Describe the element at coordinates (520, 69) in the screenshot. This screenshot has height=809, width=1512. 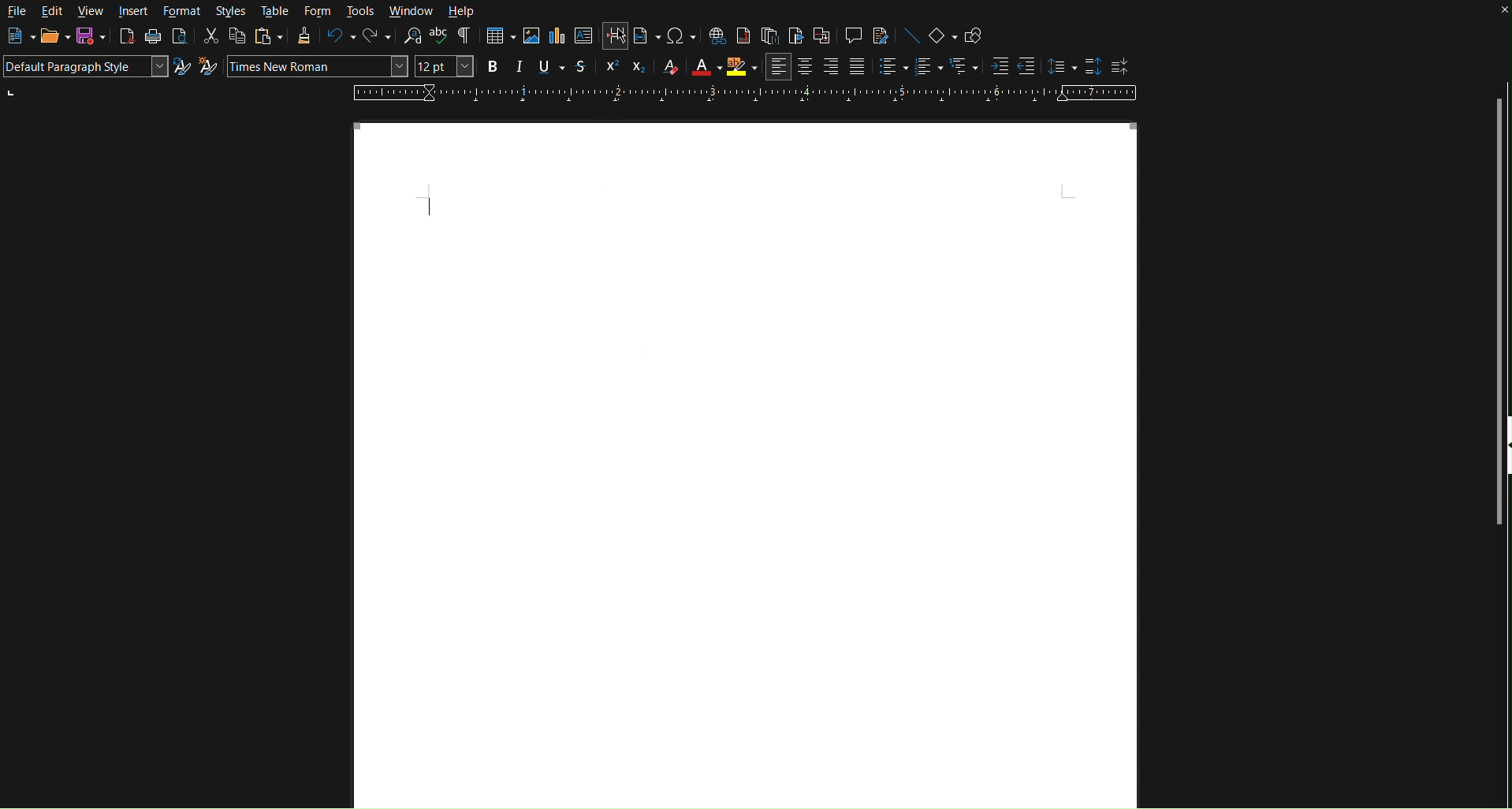
I see `Italics` at that location.